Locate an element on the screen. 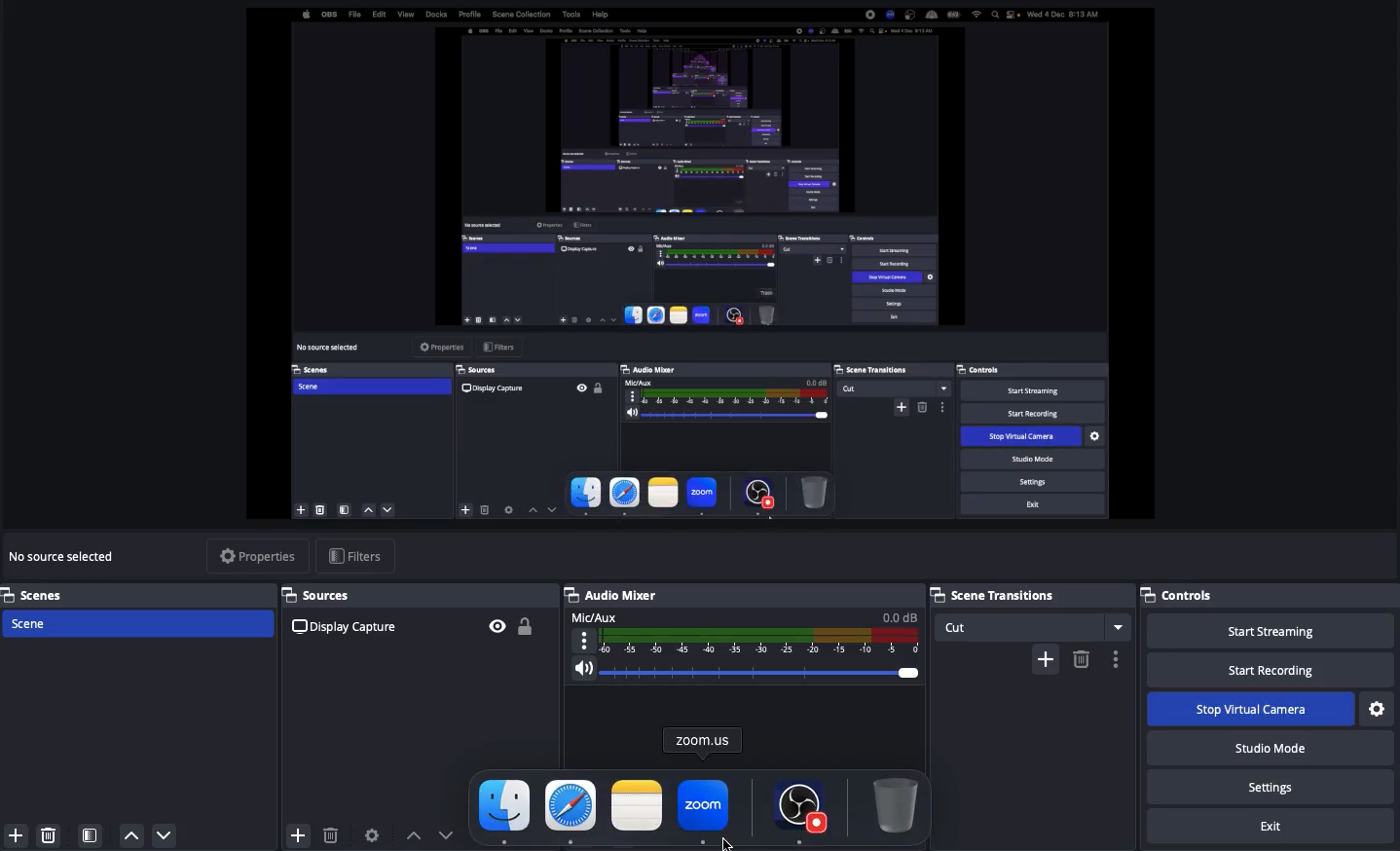 This screenshot has width=1400, height=851. Move up is located at coordinates (131, 836).